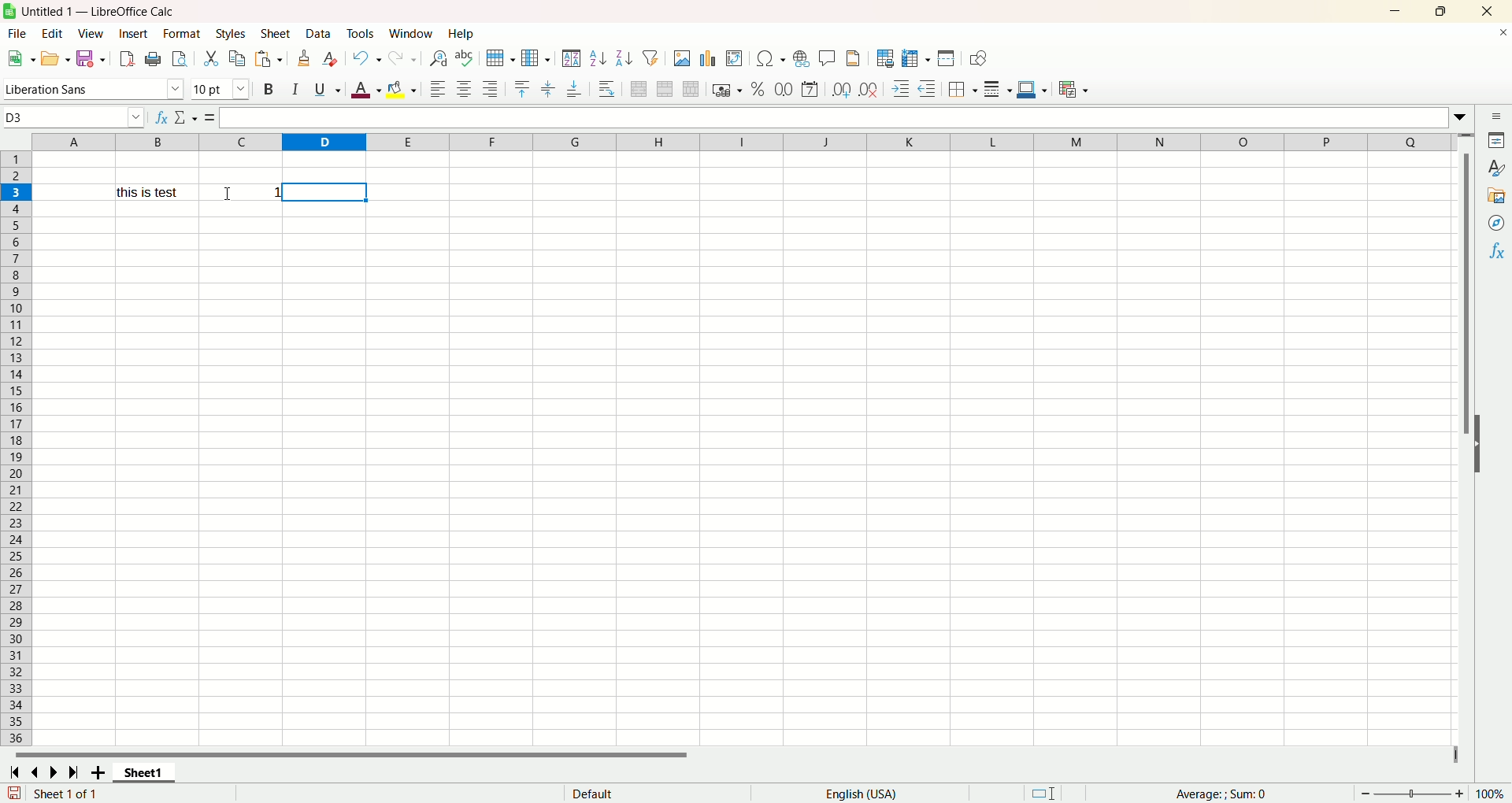 The image size is (1512, 803). What do you see at coordinates (866, 793) in the screenshot?
I see `English(USA)` at bounding box center [866, 793].